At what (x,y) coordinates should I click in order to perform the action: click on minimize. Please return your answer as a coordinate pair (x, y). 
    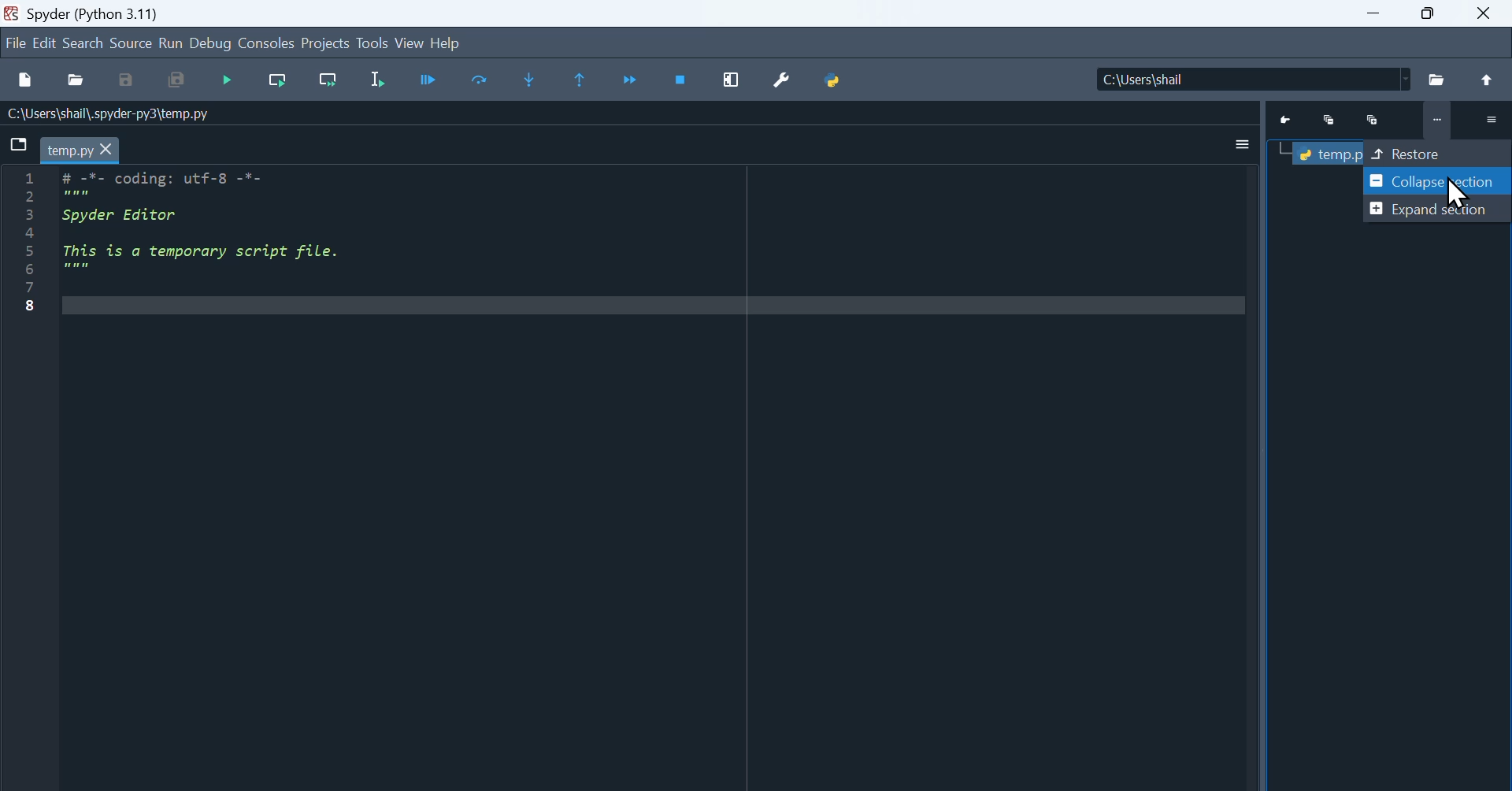
    Looking at the image, I should click on (1373, 13).